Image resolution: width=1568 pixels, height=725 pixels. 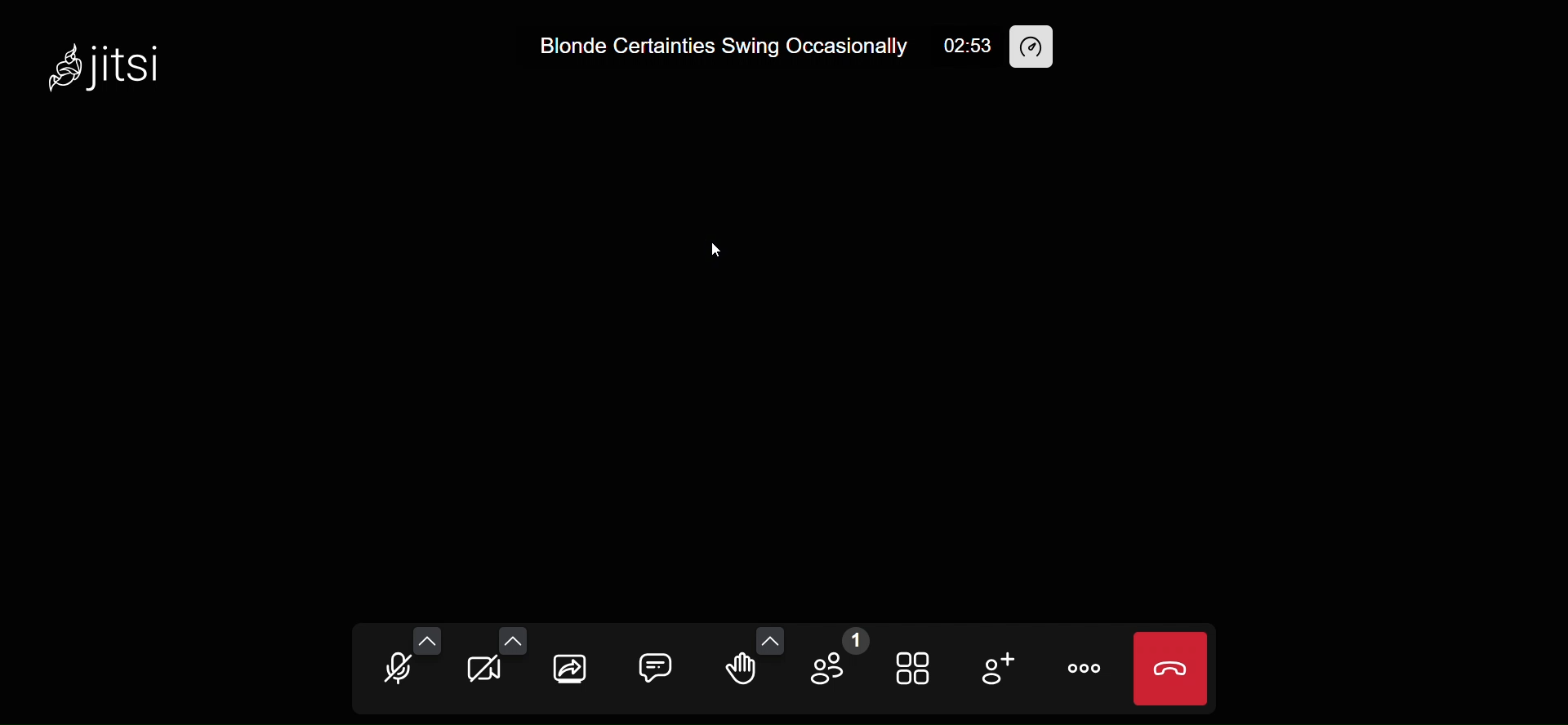 What do you see at coordinates (512, 639) in the screenshot?
I see `more camera option` at bounding box center [512, 639].